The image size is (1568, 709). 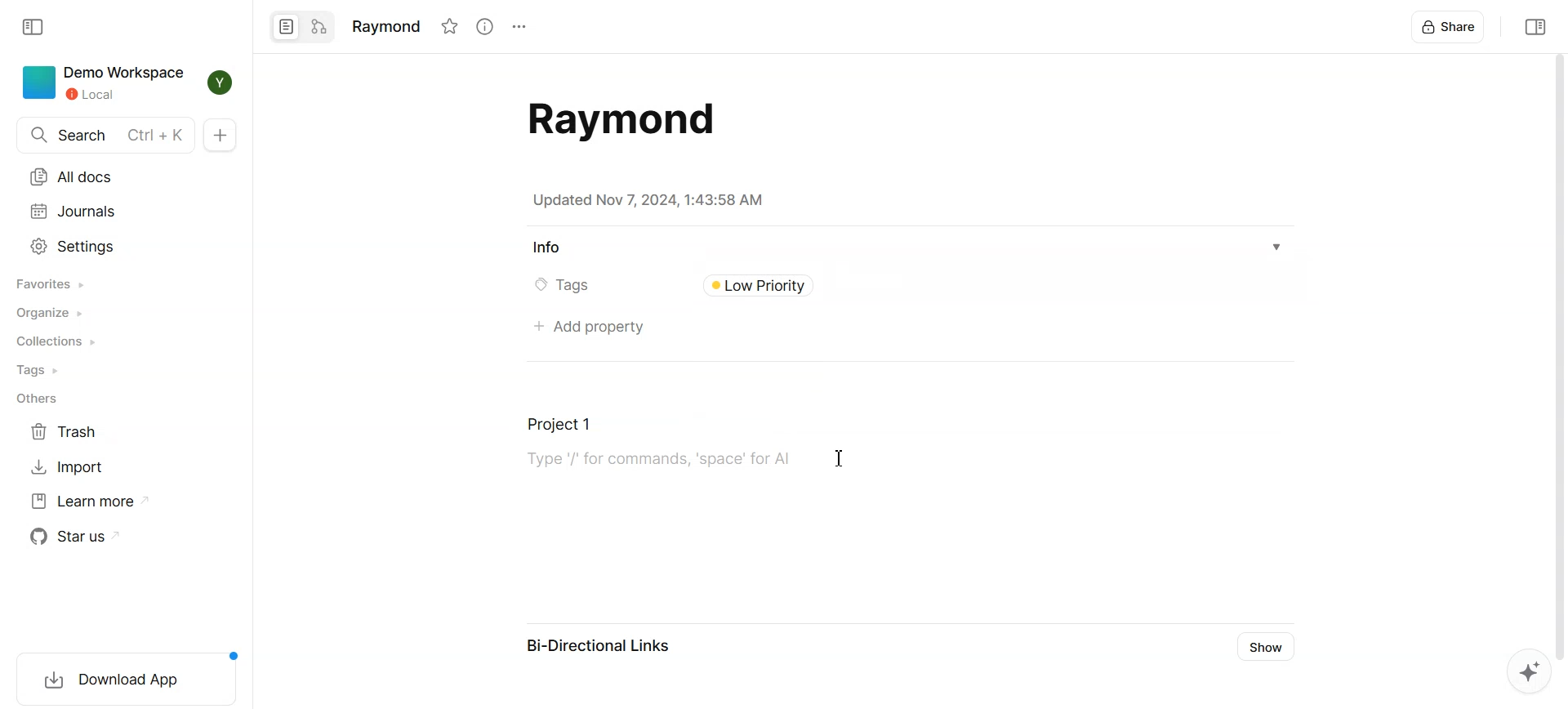 I want to click on Tag icon, so click(x=536, y=286).